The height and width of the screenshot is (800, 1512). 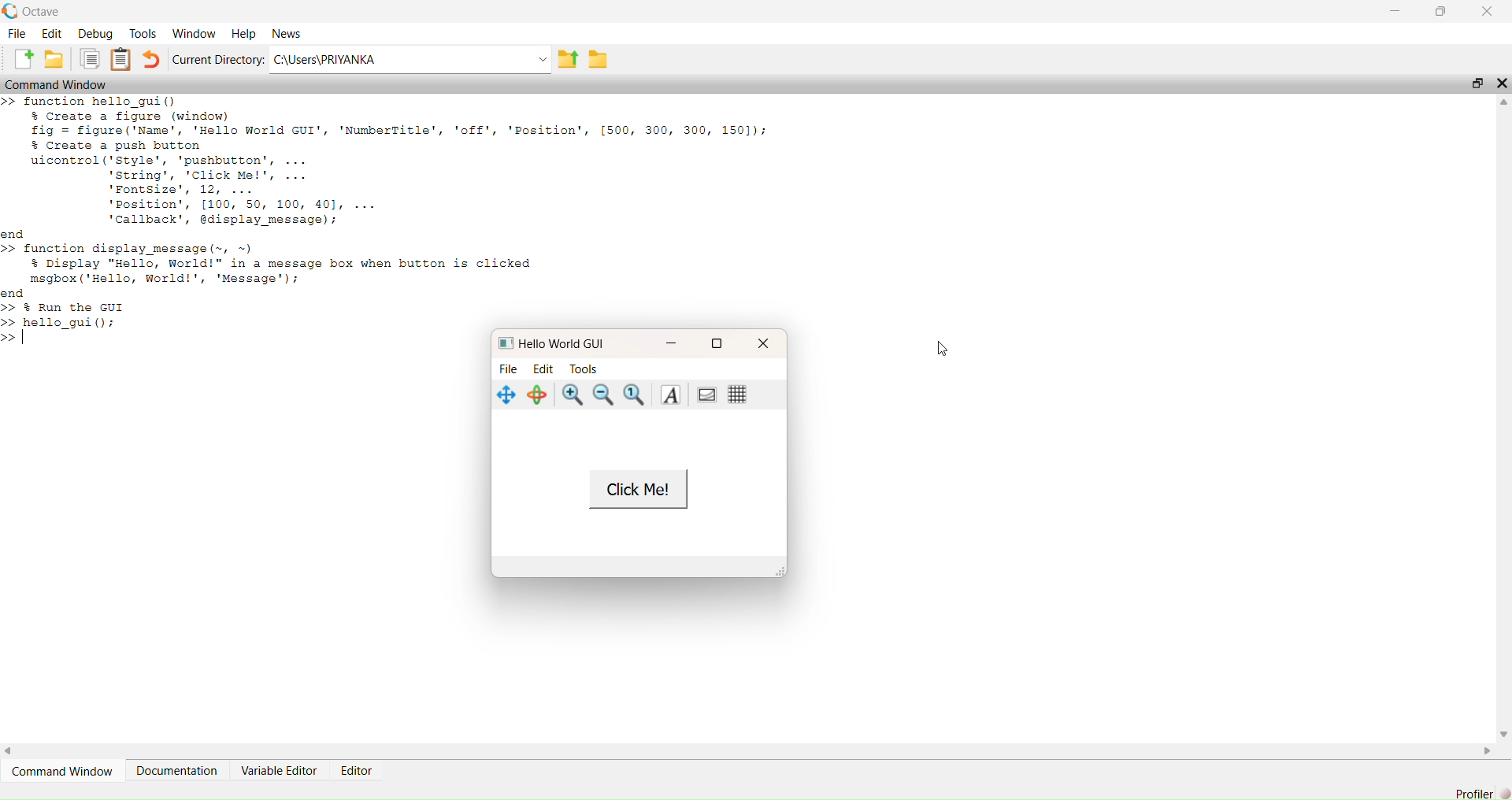 What do you see at coordinates (52, 33) in the screenshot?
I see `Edit` at bounding box center [52, 33].